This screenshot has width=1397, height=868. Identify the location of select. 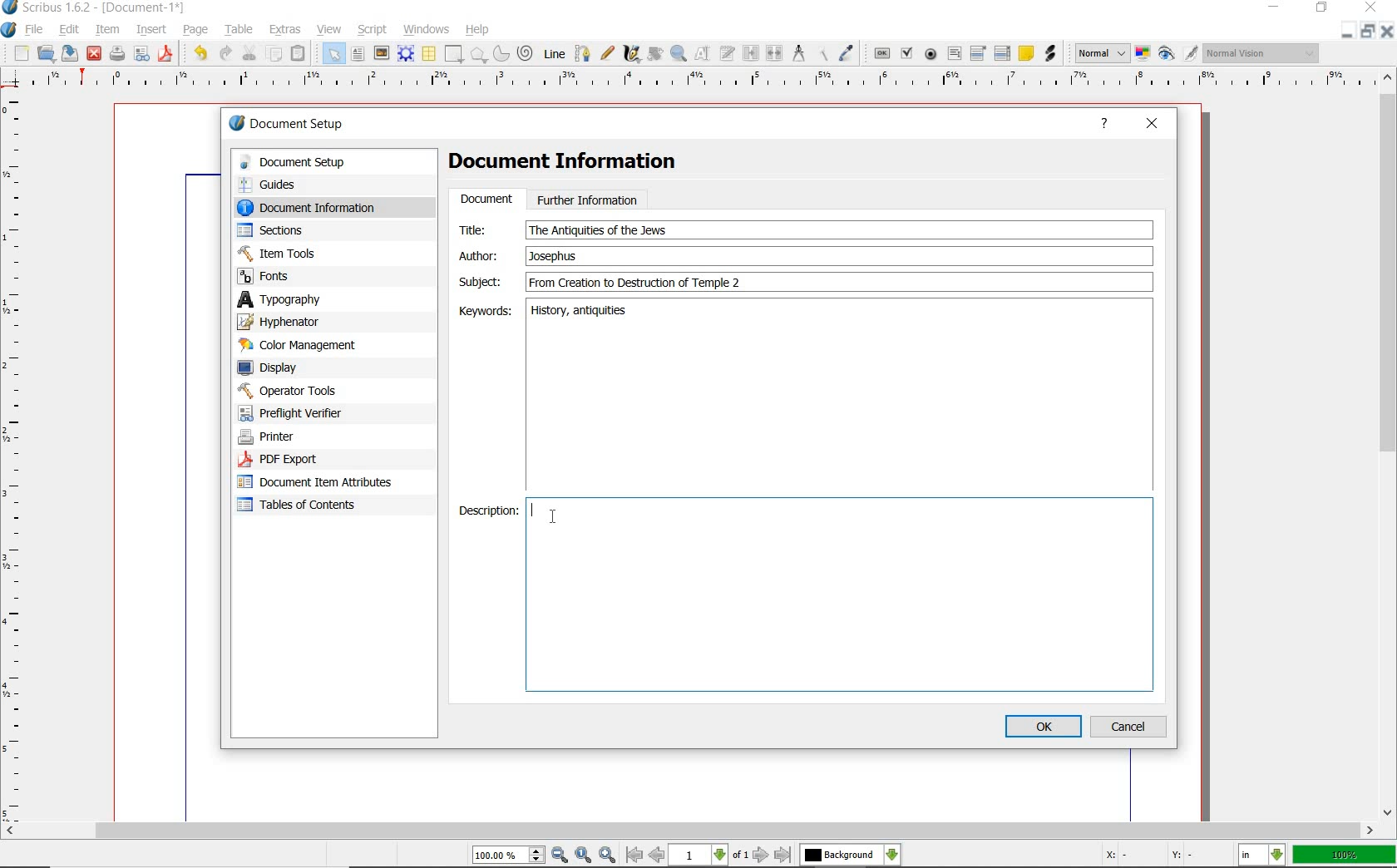
(335, 53).